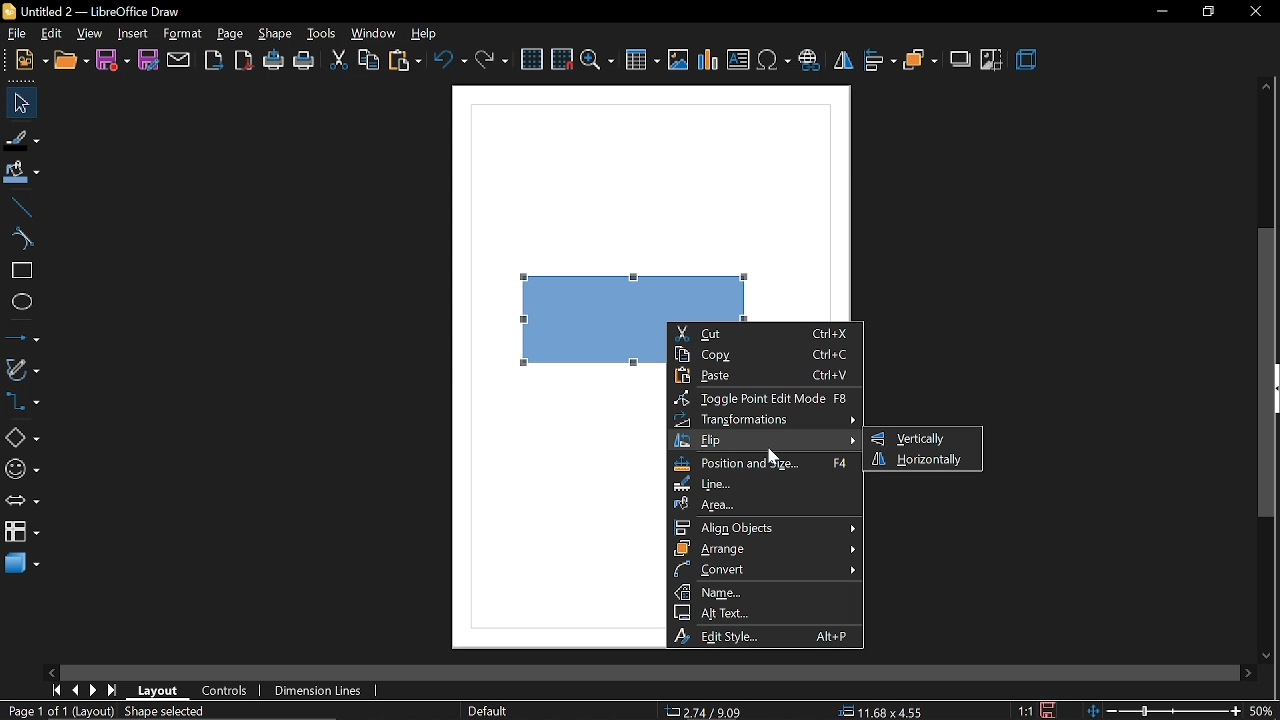 The image size is (1280, 720). What do you see at coordinates (960, 61) in the screenshot?
I see `shadow` at bounding box center [960, 61].